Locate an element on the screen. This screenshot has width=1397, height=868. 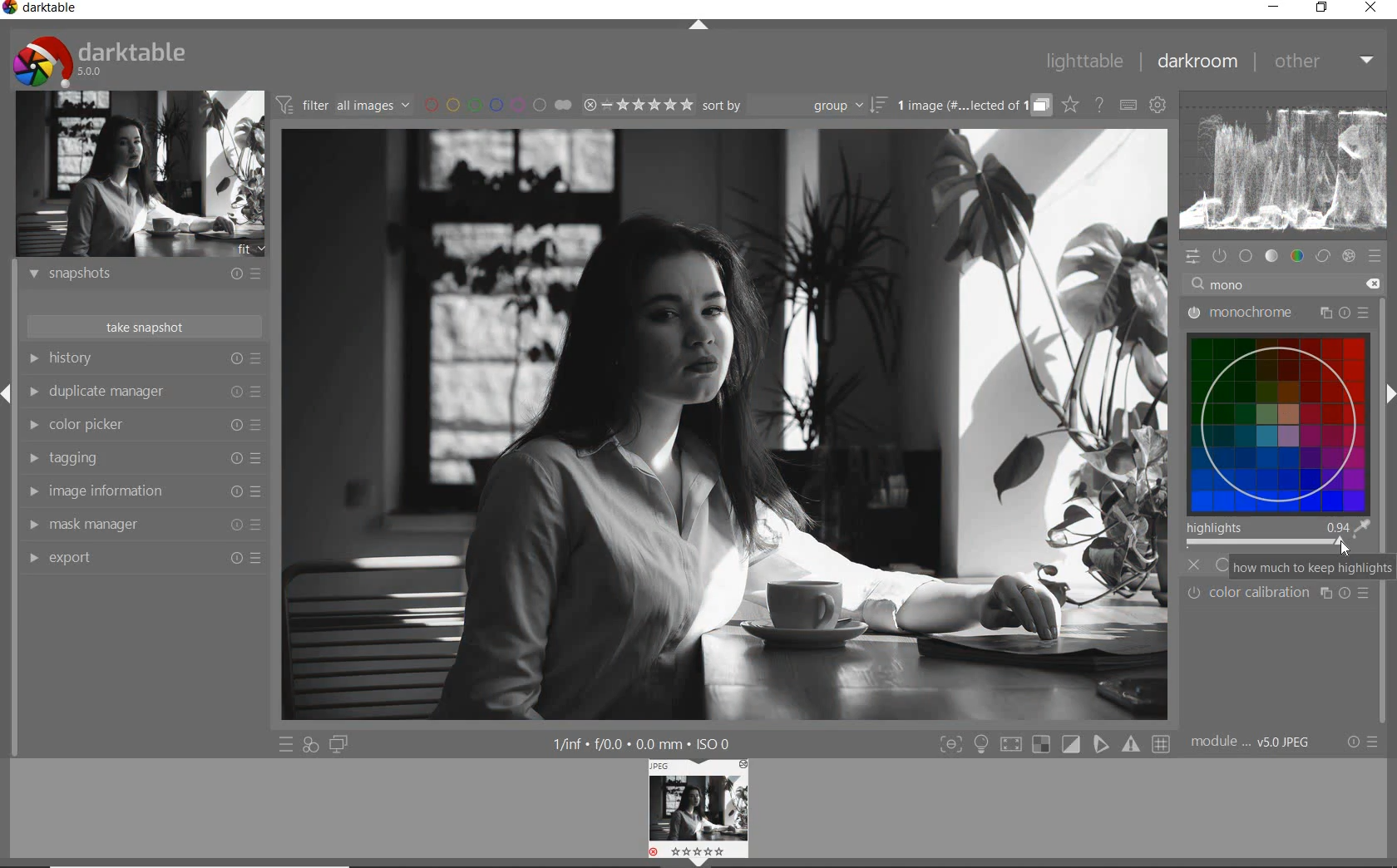
correct is located at coordinates (1322, 254).